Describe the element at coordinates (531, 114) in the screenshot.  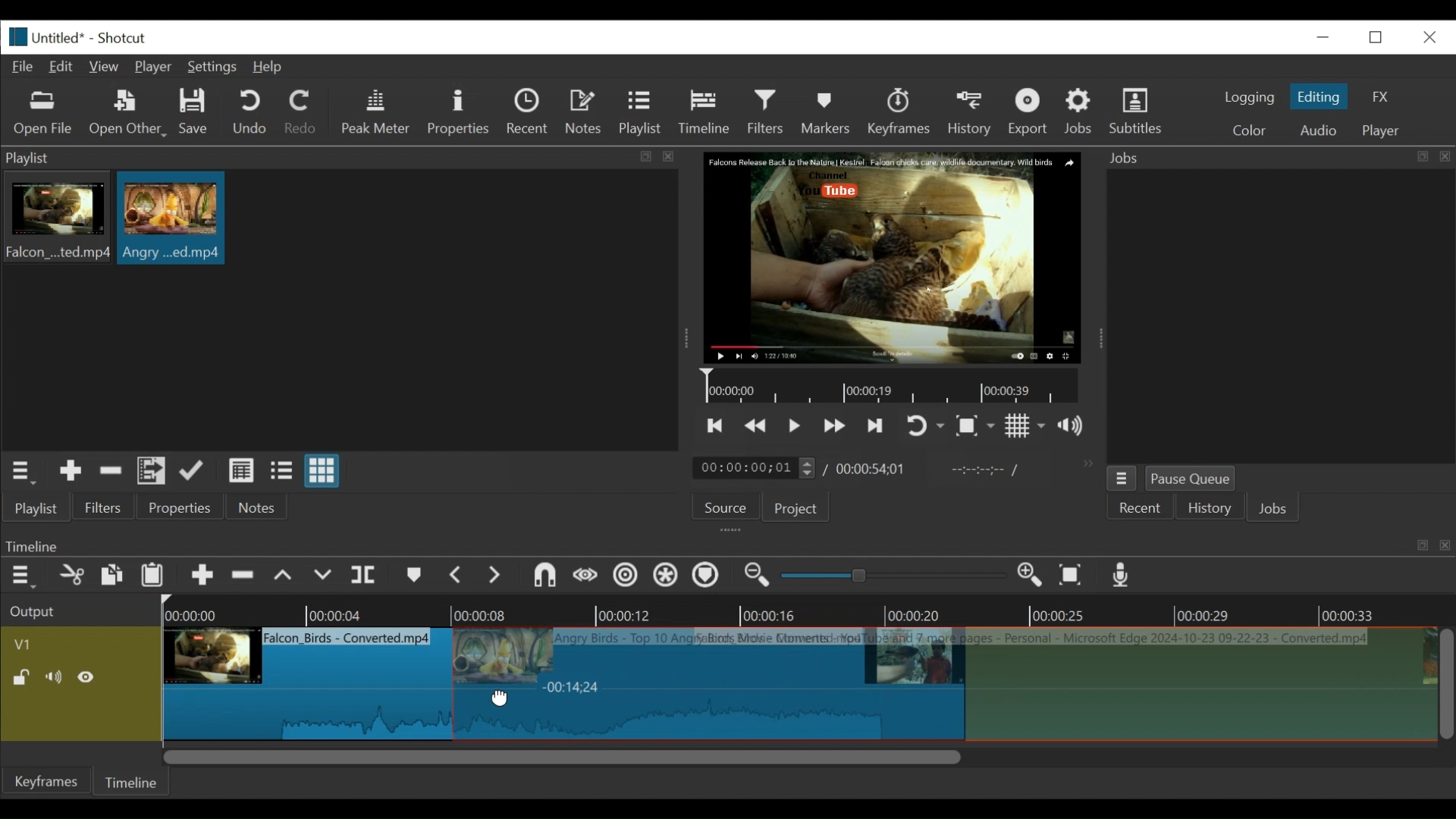
I see `Recent` at that location.